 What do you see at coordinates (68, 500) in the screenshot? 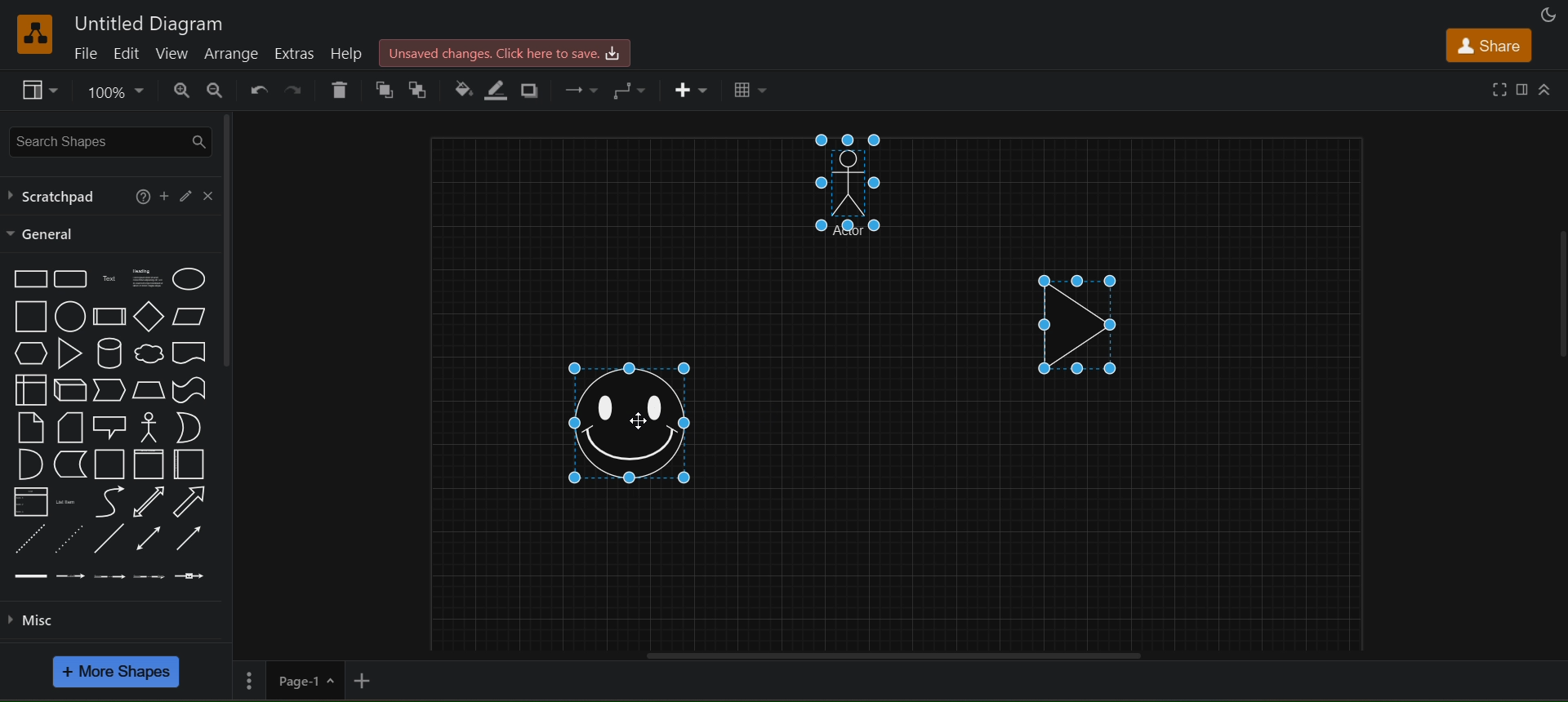
I see `list items` at bounding box center [68, 500].